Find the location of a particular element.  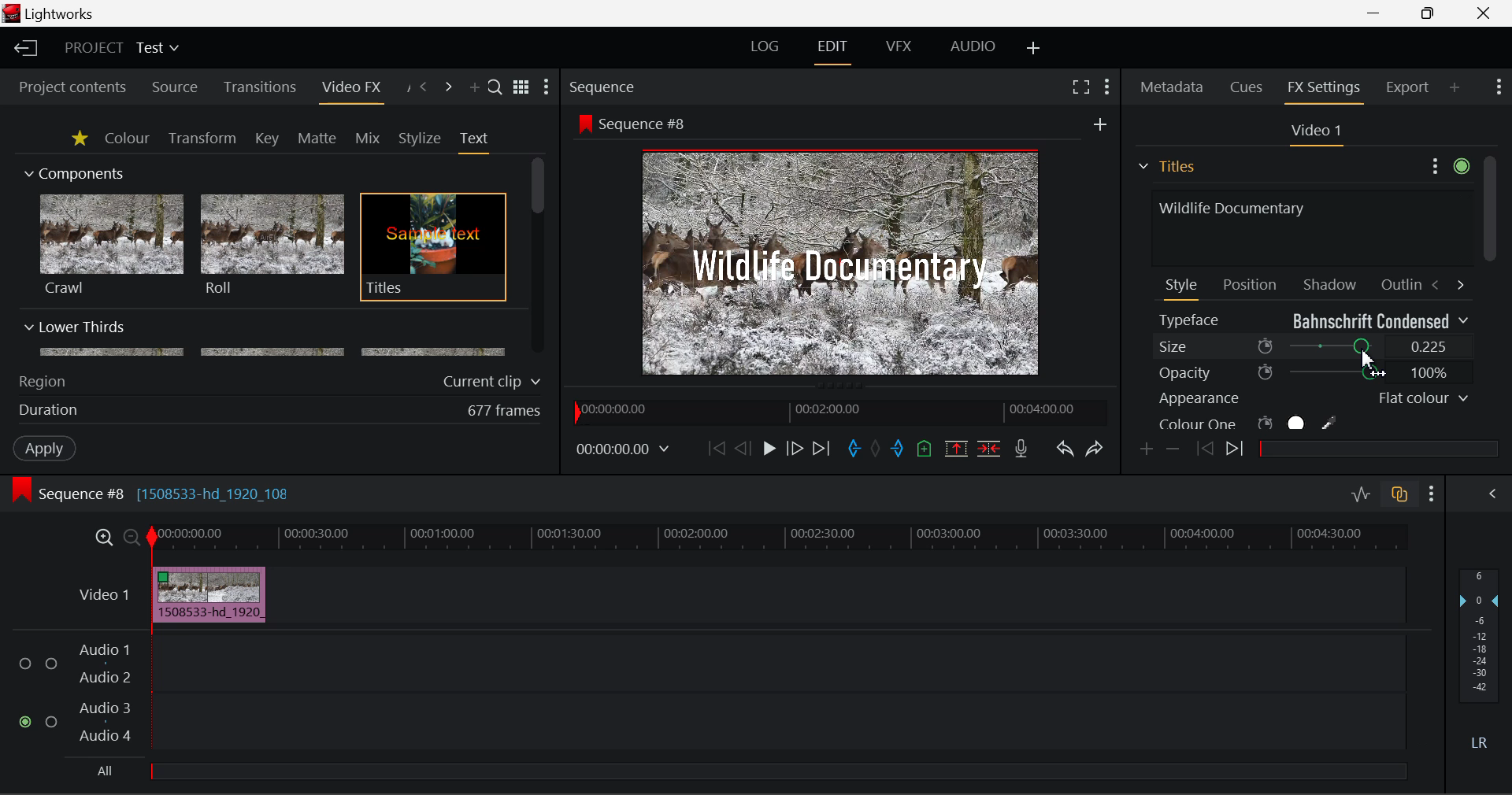

icon is located at coordinates (584, 123).